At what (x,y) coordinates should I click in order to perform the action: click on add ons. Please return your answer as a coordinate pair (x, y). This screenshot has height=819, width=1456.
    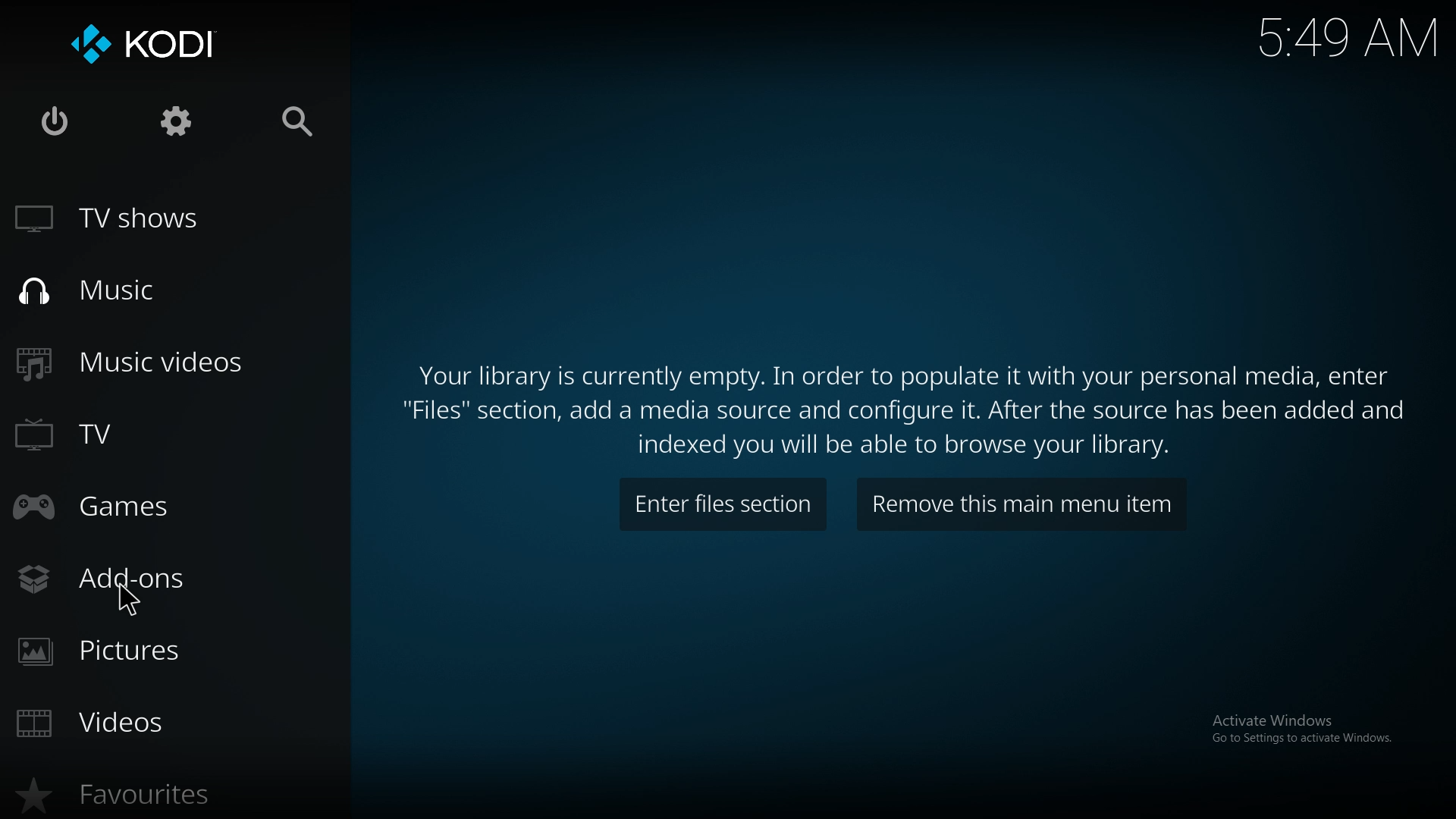
    Looking at the image, I should click on (133, 577).